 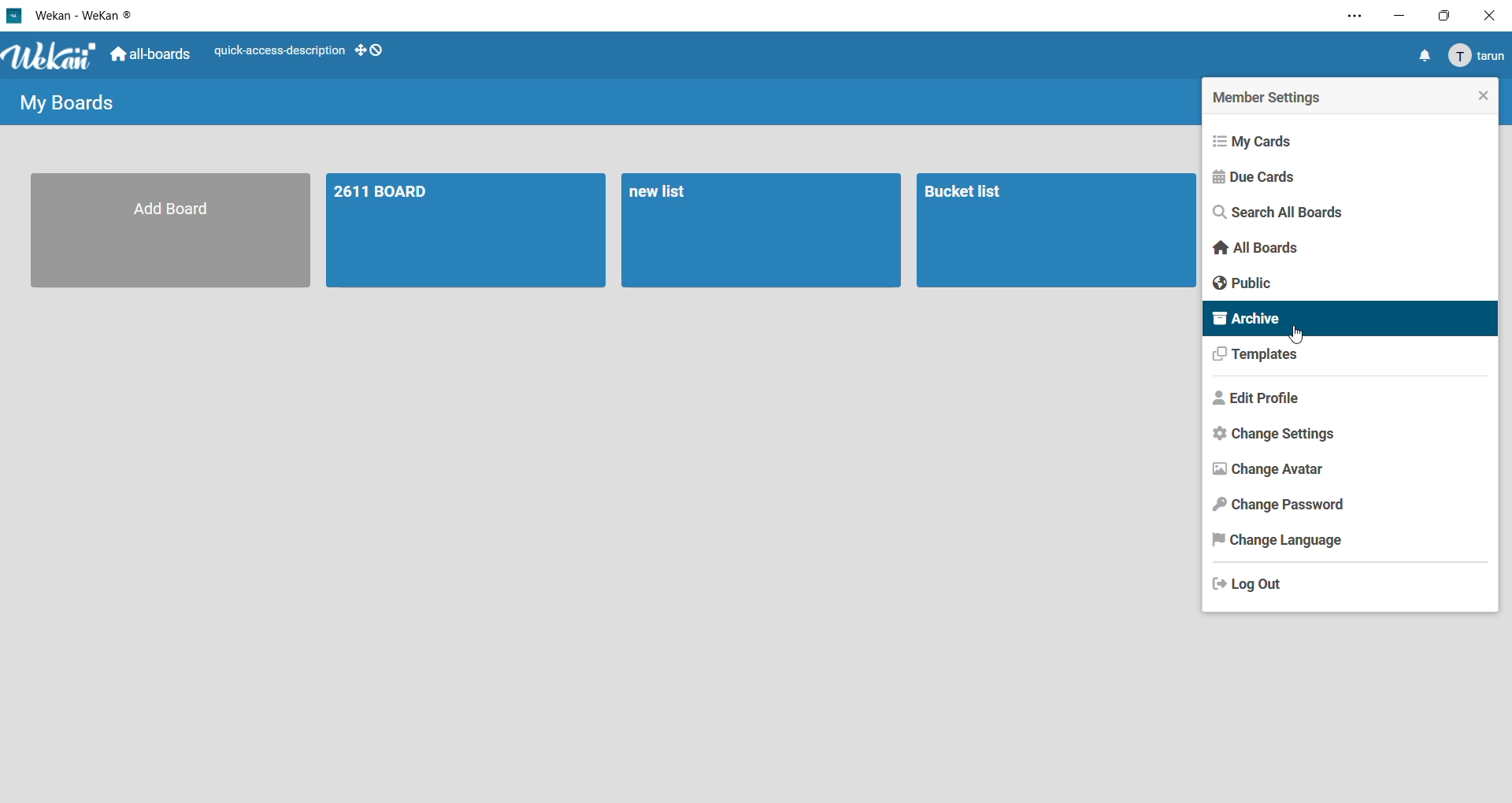 I want to click on notifications , so click(x=1423, y=57).